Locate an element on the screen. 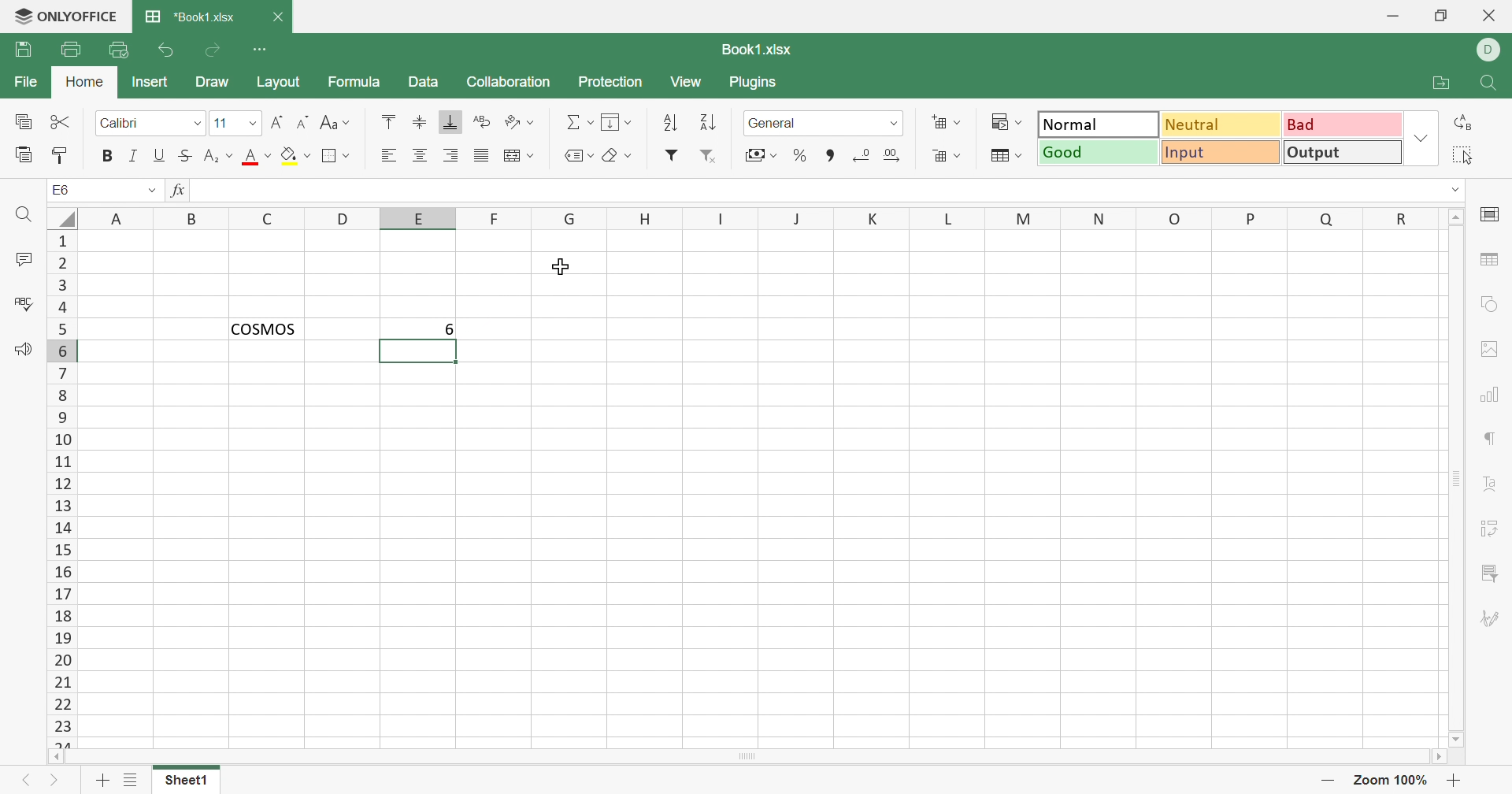 Image resolution: width=1512 pixels, height=794 pixels. Underline is located at coordinates (161, 155).